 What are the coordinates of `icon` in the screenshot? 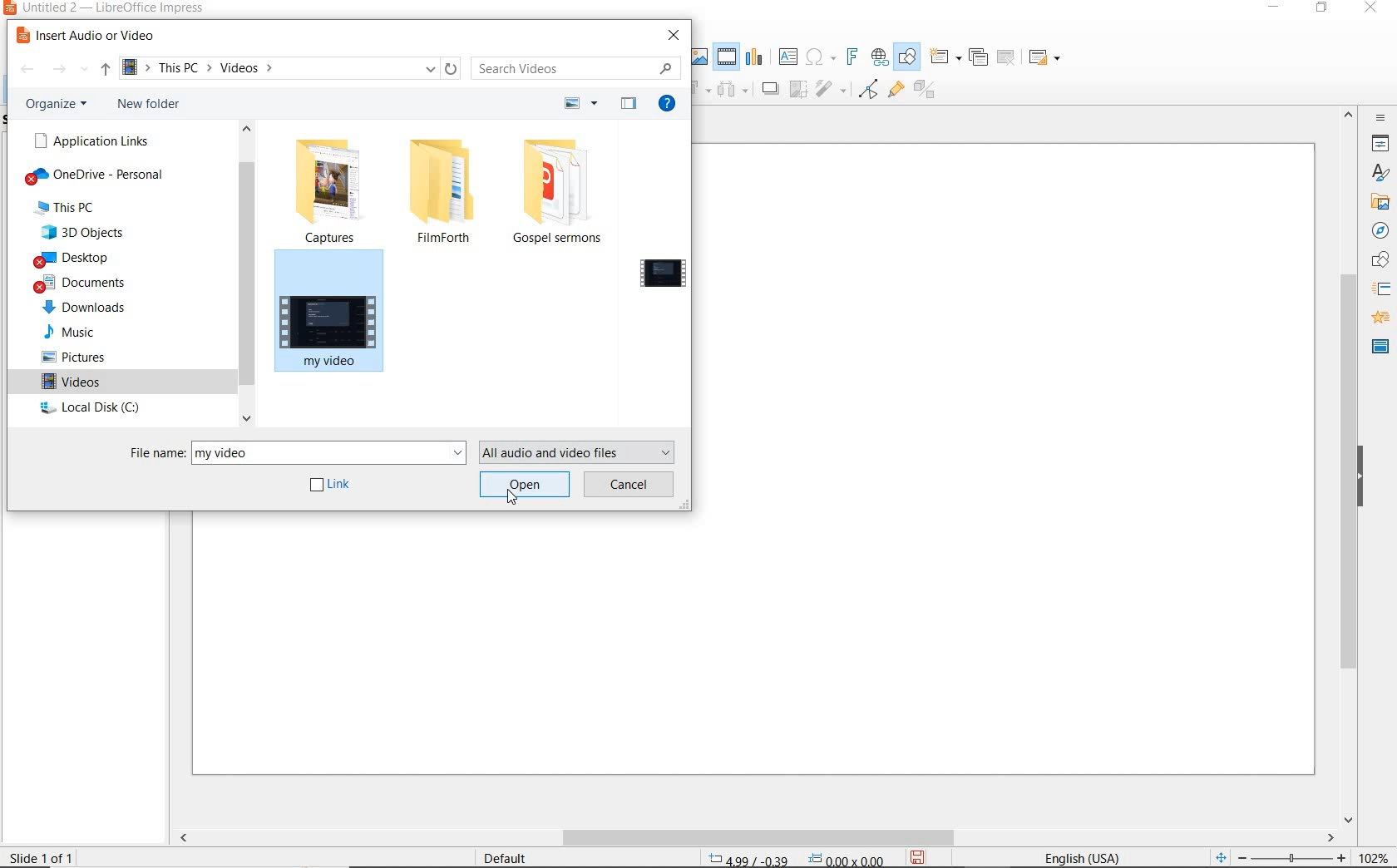 It's located at (800, 90).